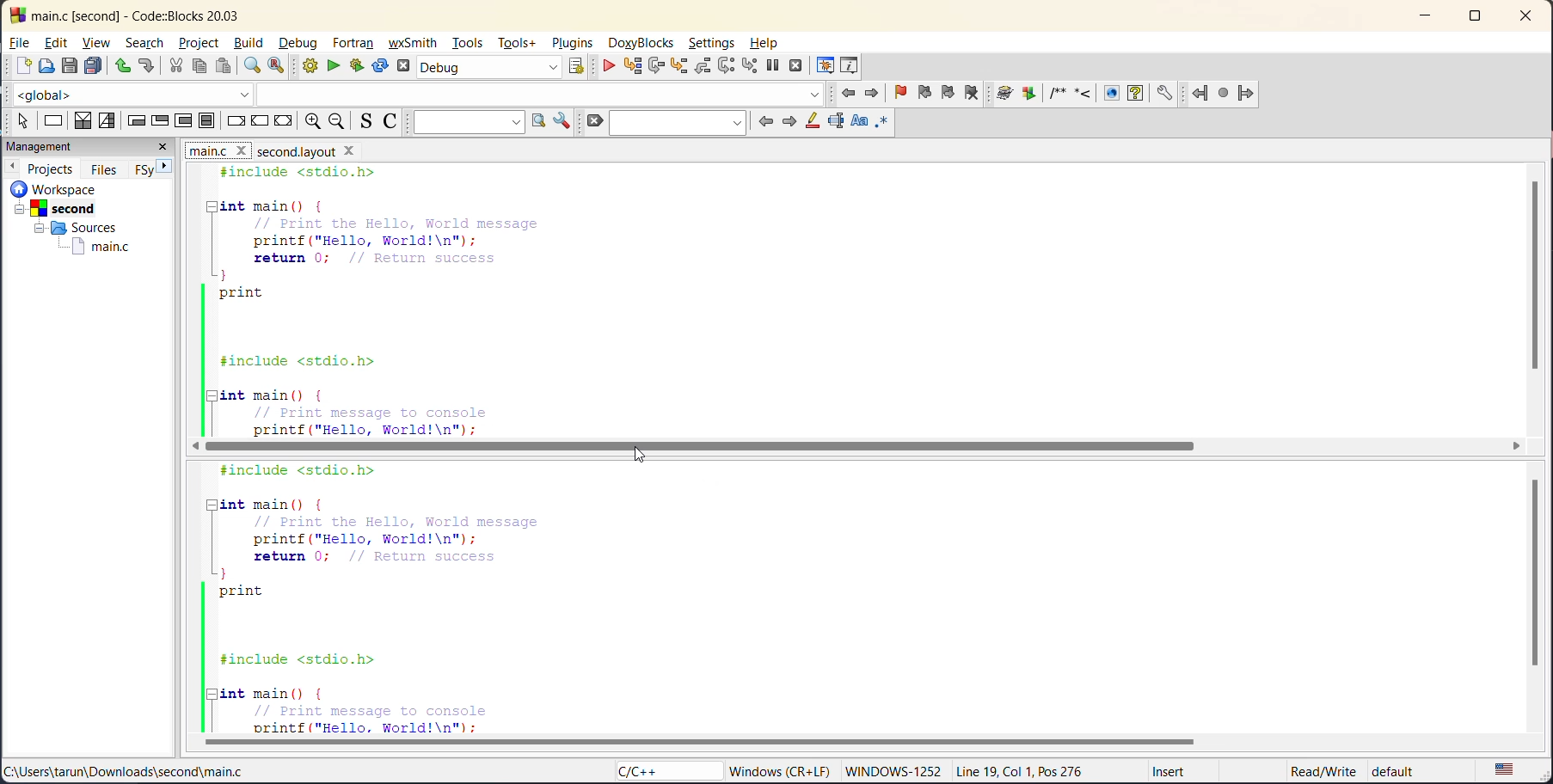 The height and width of the screenshot is (784, 1553). I want to click on paste, so click(224, 67).